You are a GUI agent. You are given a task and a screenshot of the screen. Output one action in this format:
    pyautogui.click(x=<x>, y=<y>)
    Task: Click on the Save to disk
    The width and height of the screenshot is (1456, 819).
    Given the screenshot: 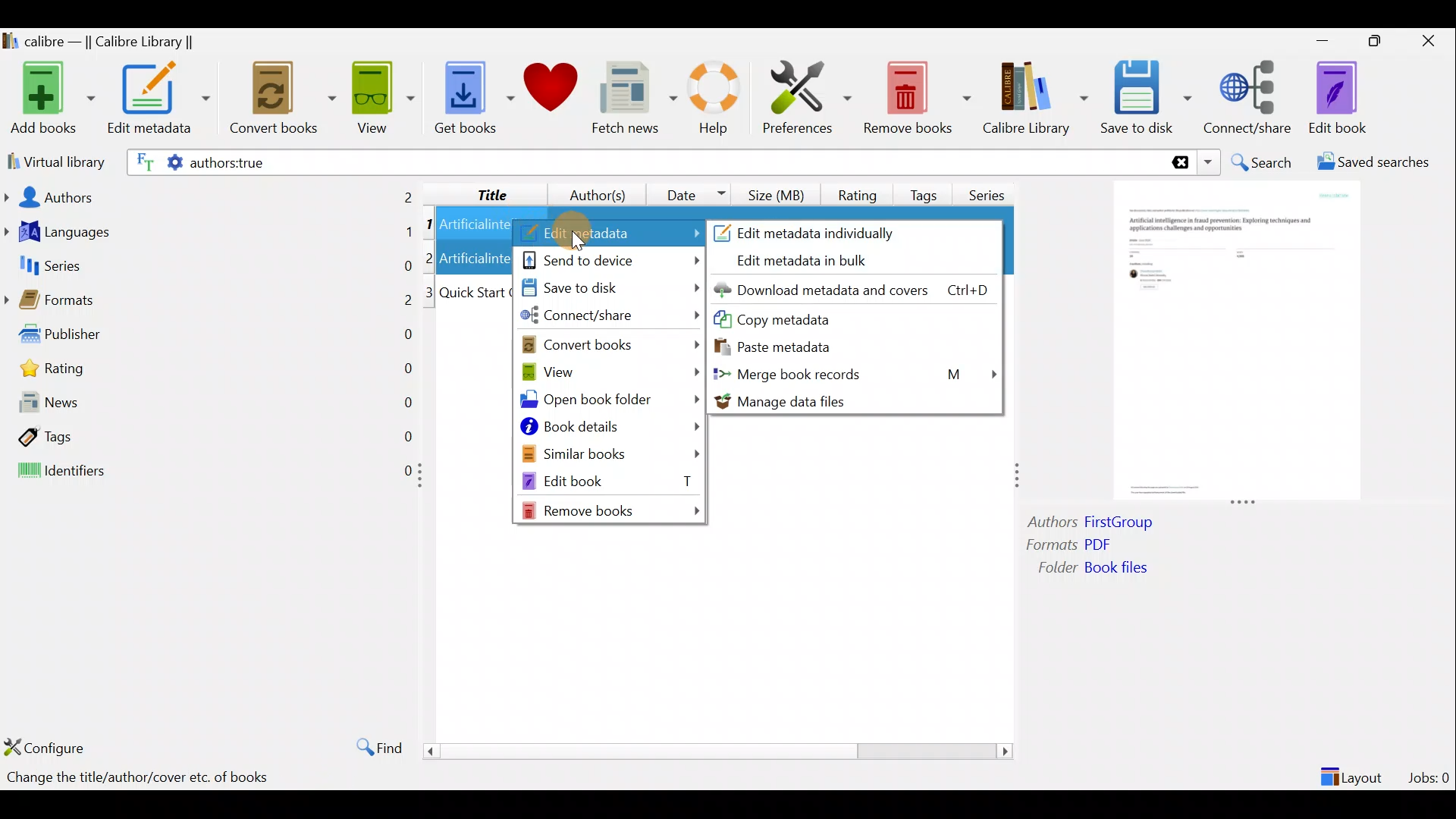 What is the action you would take?
    pyautogui.click(x=607, y=289)
    